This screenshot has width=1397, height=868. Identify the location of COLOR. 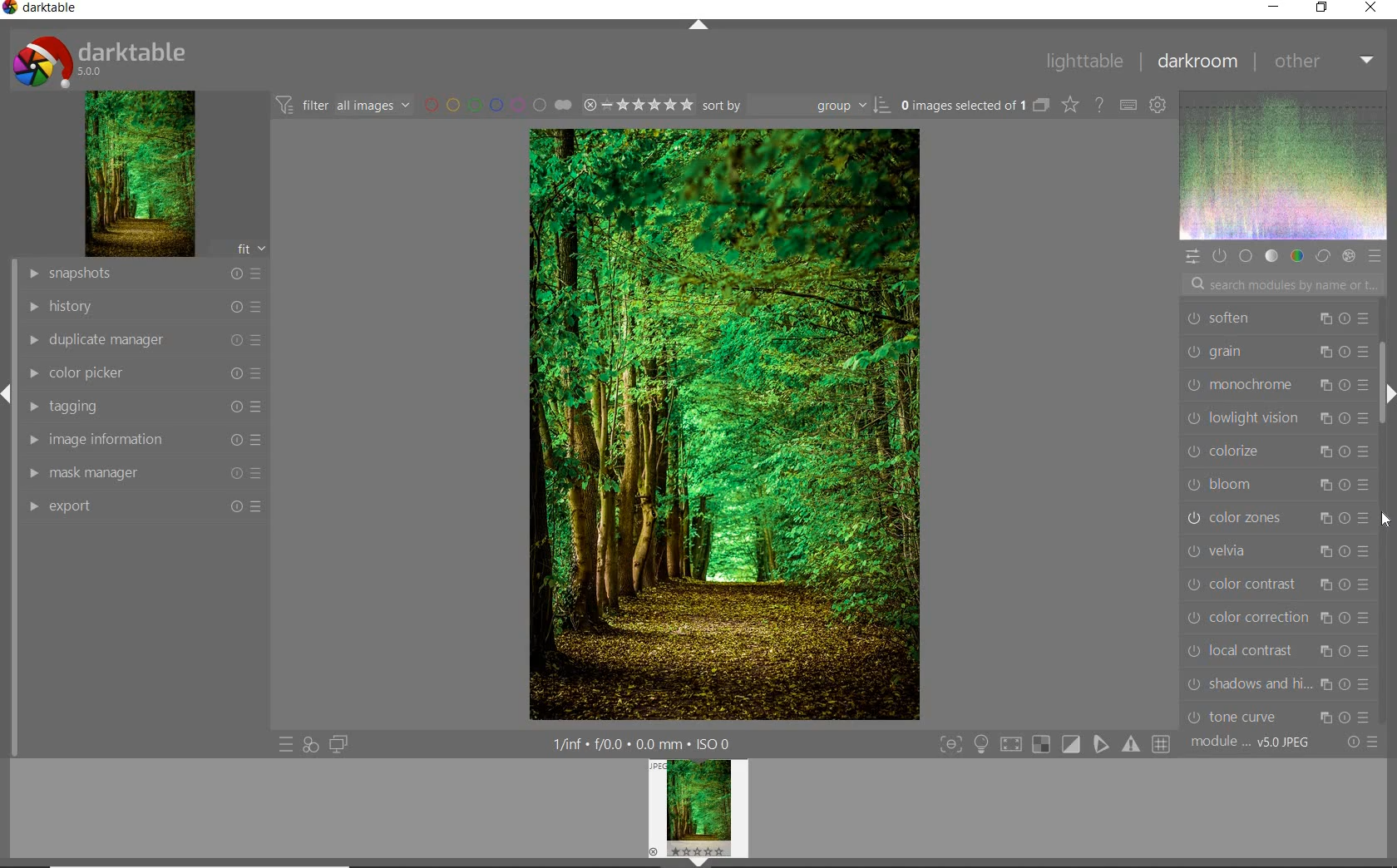
(1299, 256).